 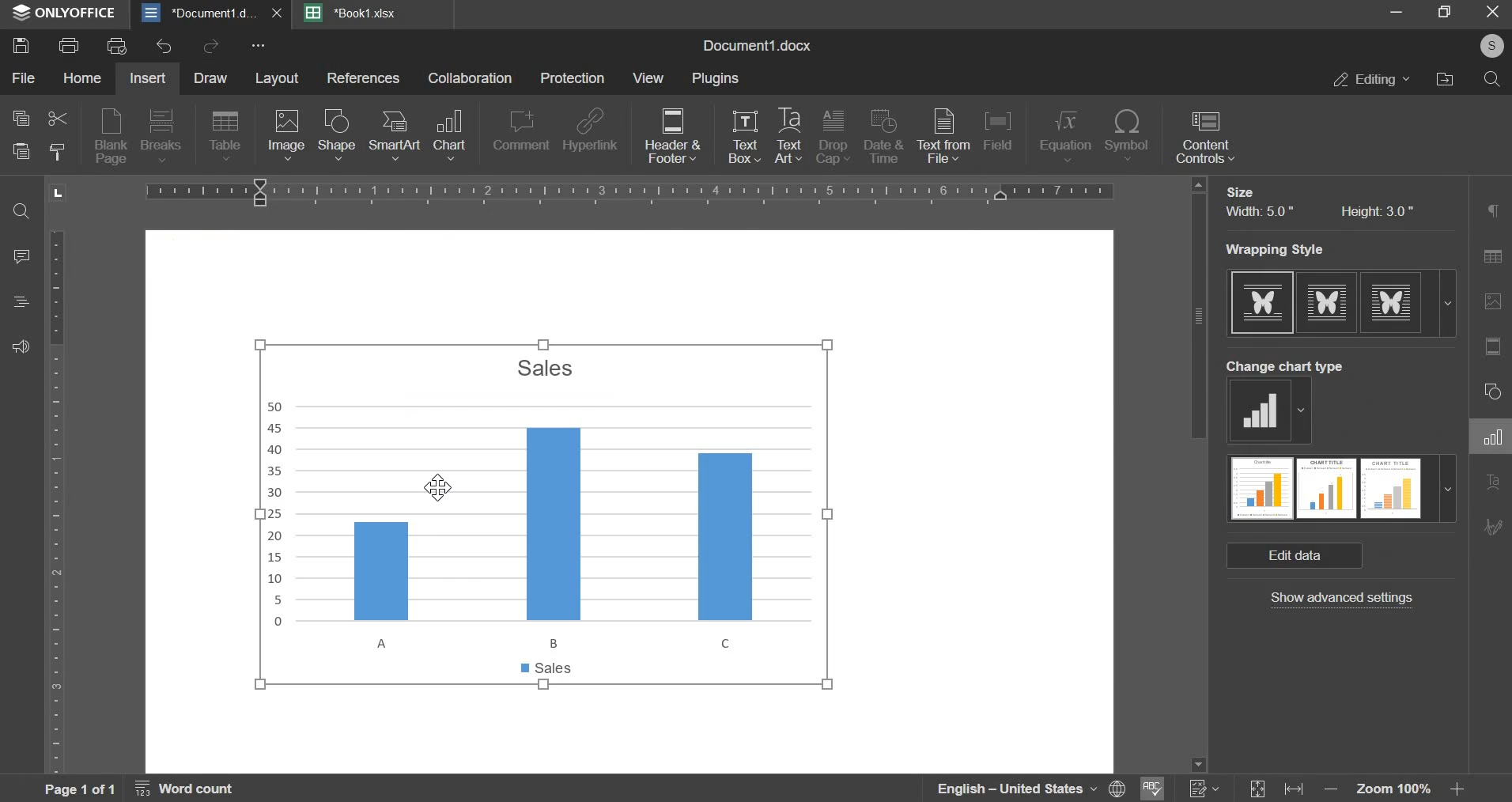 I want to click on ONLYOFFICE, so click(x=67, y=16).